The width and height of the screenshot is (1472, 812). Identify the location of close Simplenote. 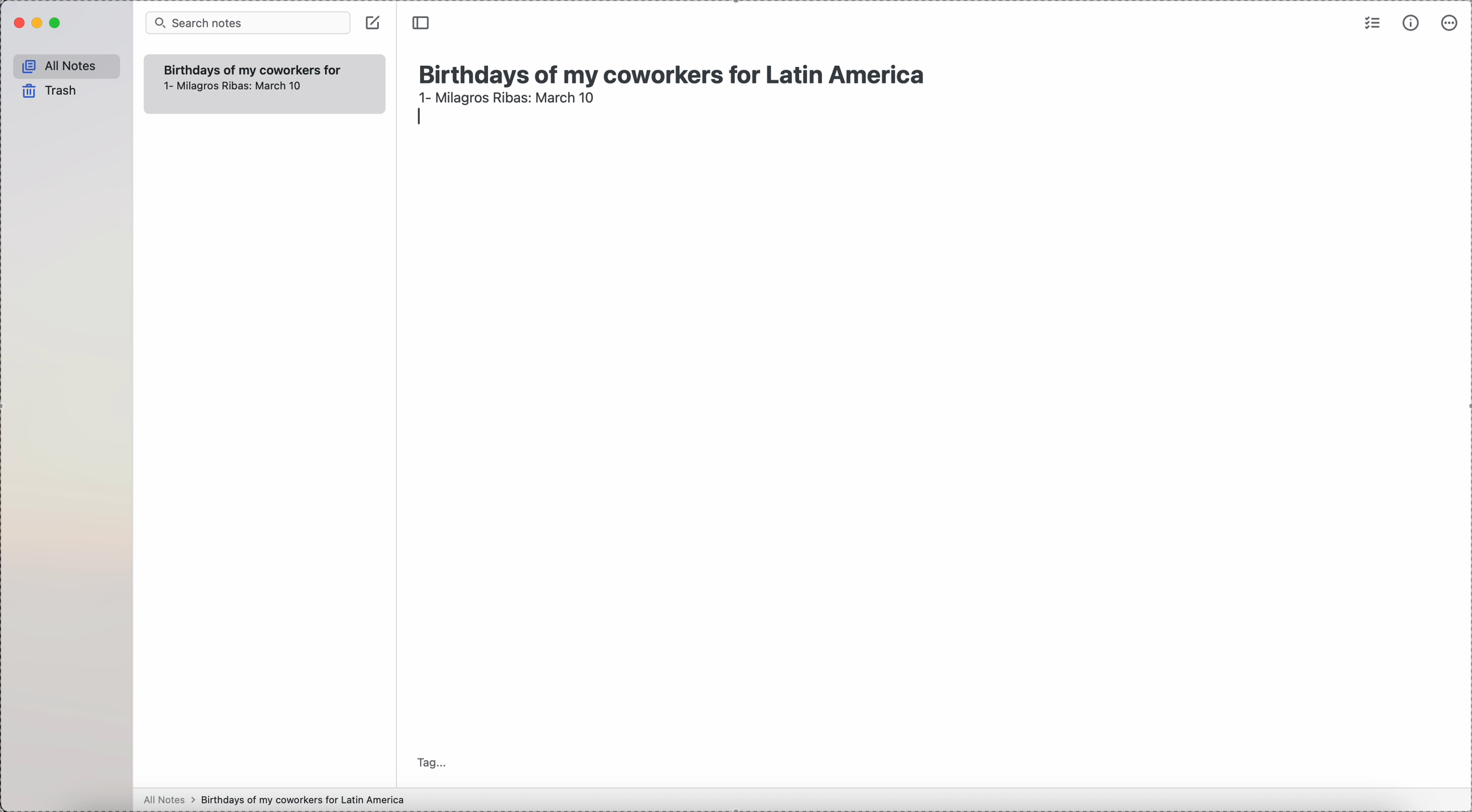
(18, 23).